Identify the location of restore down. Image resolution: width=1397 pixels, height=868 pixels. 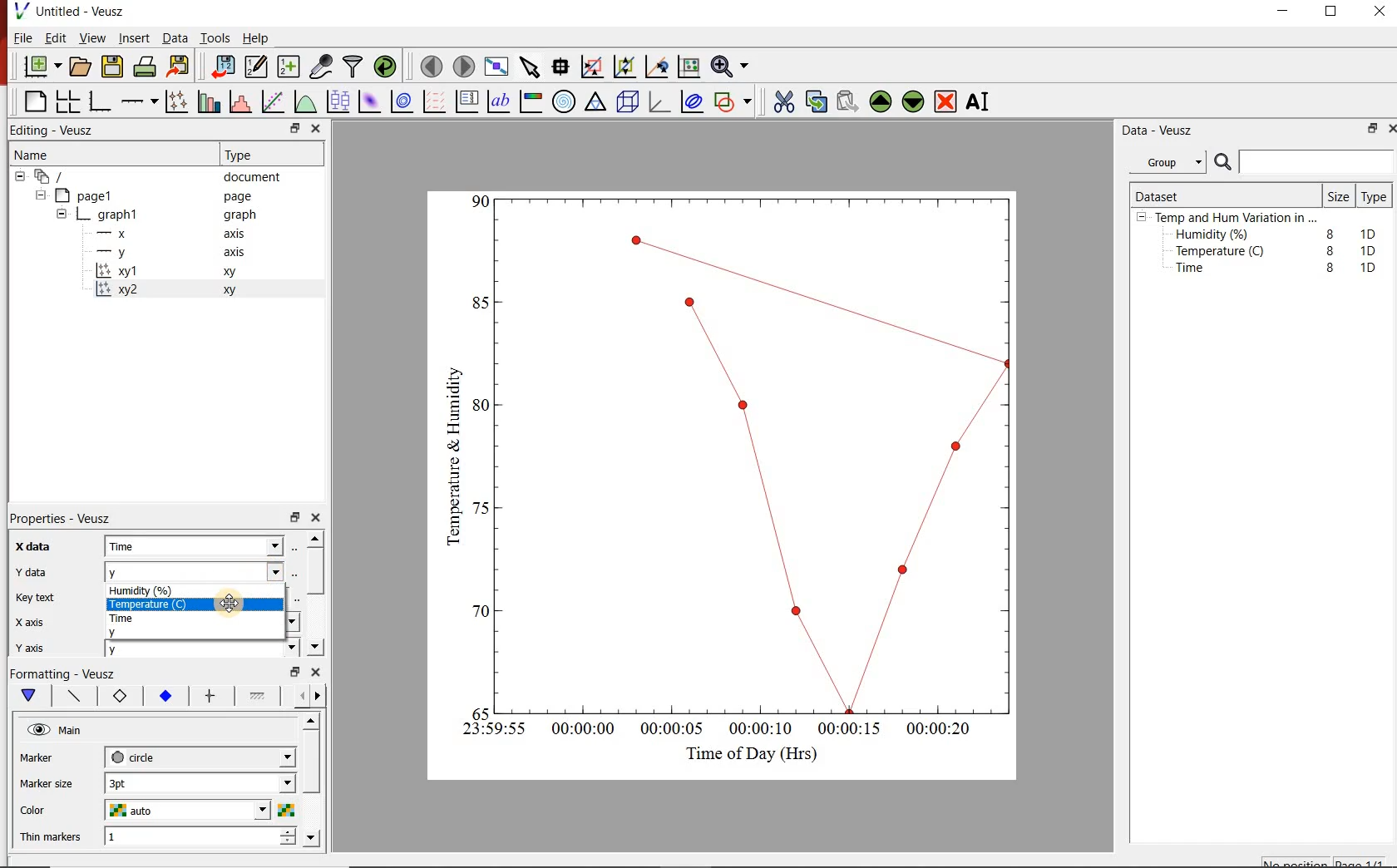
(1369, 131).